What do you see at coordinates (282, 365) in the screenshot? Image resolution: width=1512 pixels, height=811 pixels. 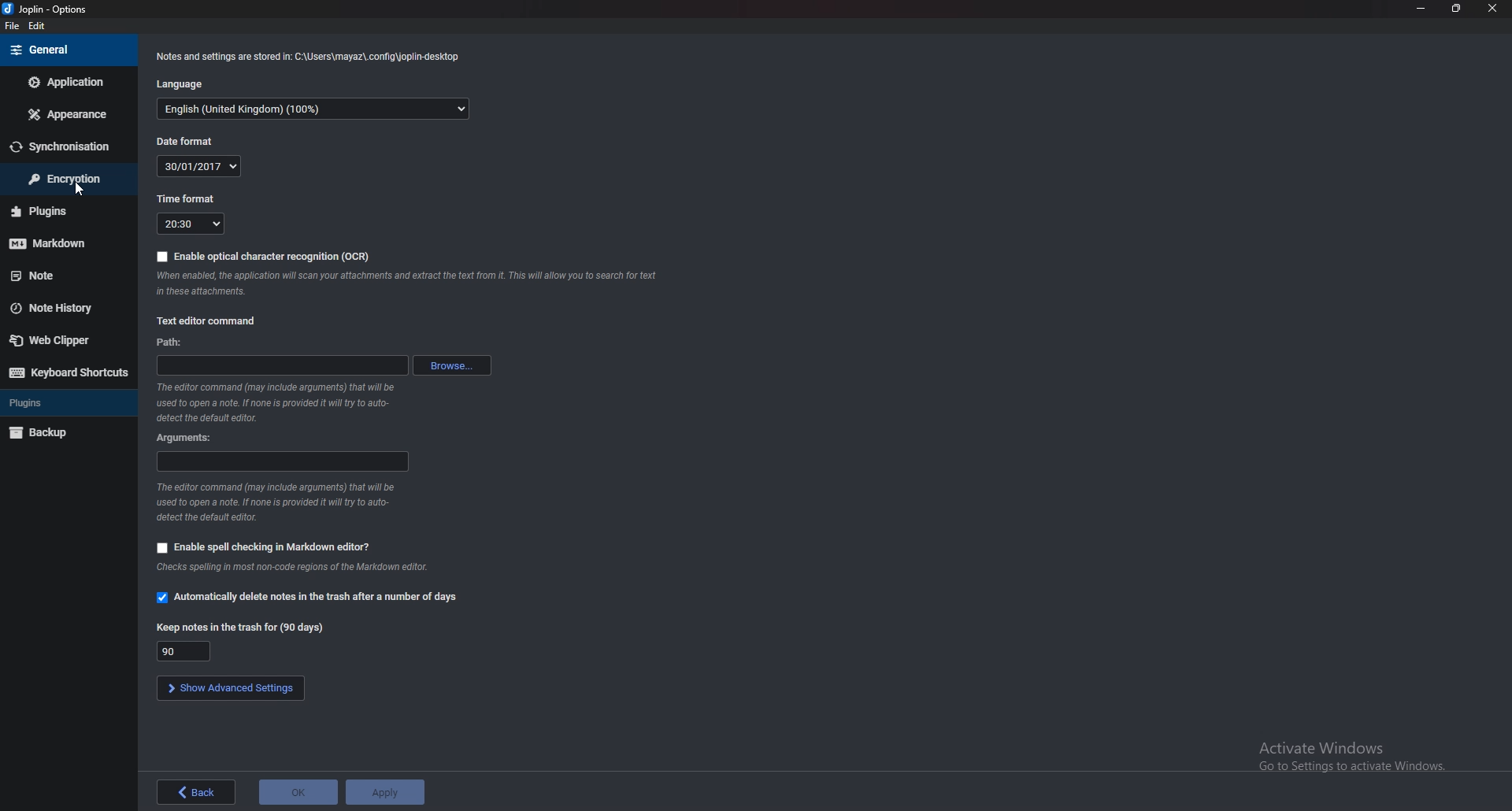 I see `path` at bounding box center [282, 365].